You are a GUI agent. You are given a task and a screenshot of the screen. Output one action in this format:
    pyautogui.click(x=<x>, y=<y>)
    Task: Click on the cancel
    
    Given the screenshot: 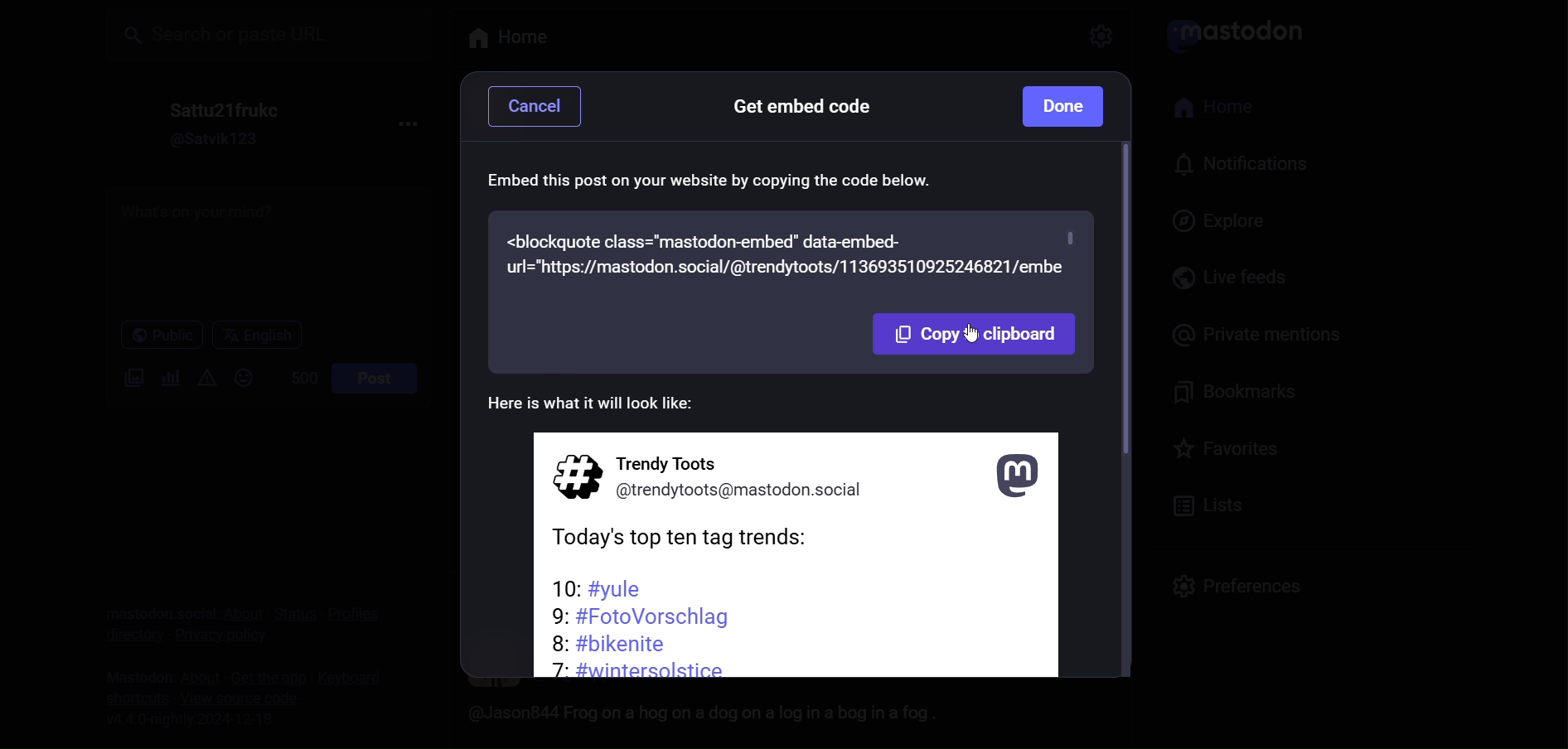 What is the action you would take?
    pyautogui.click(x=544, y=109)
    